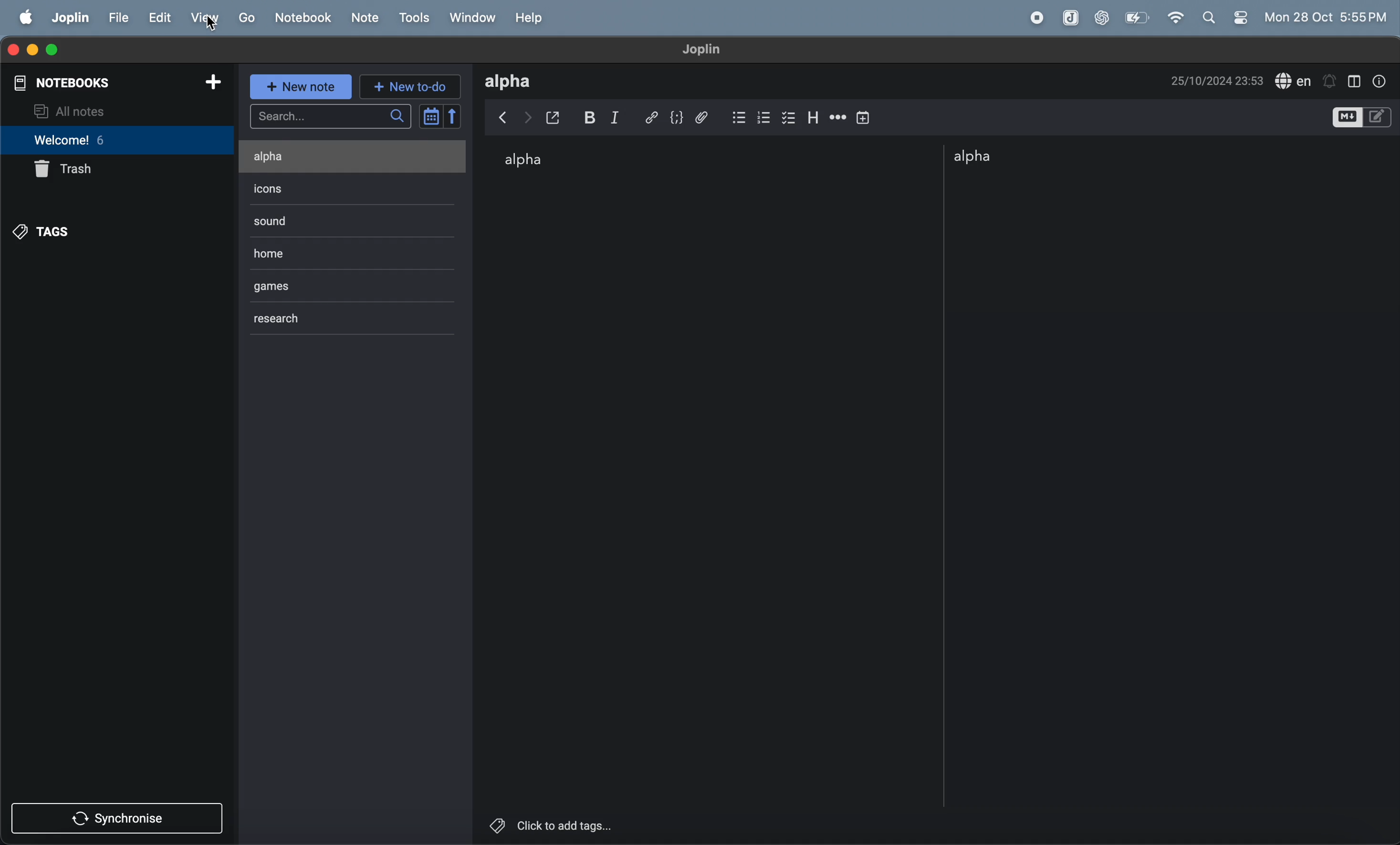 This screenshot has width=1400, height=845. I want to click on note 6 research, so click(299, 317).